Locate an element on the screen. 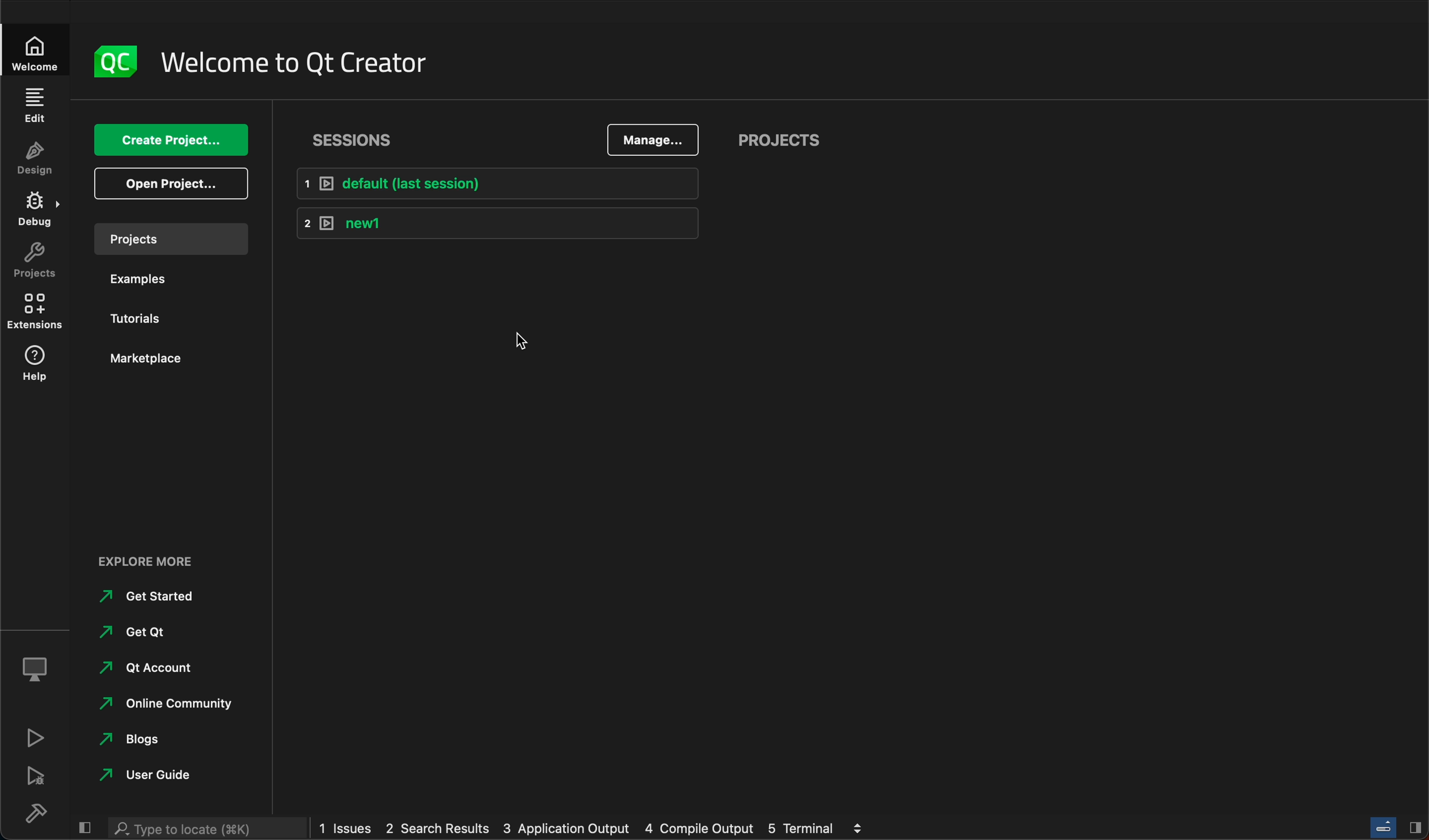 The height and width of the screenshot is (840, 1429). edit is located at coordinates (34, 105).